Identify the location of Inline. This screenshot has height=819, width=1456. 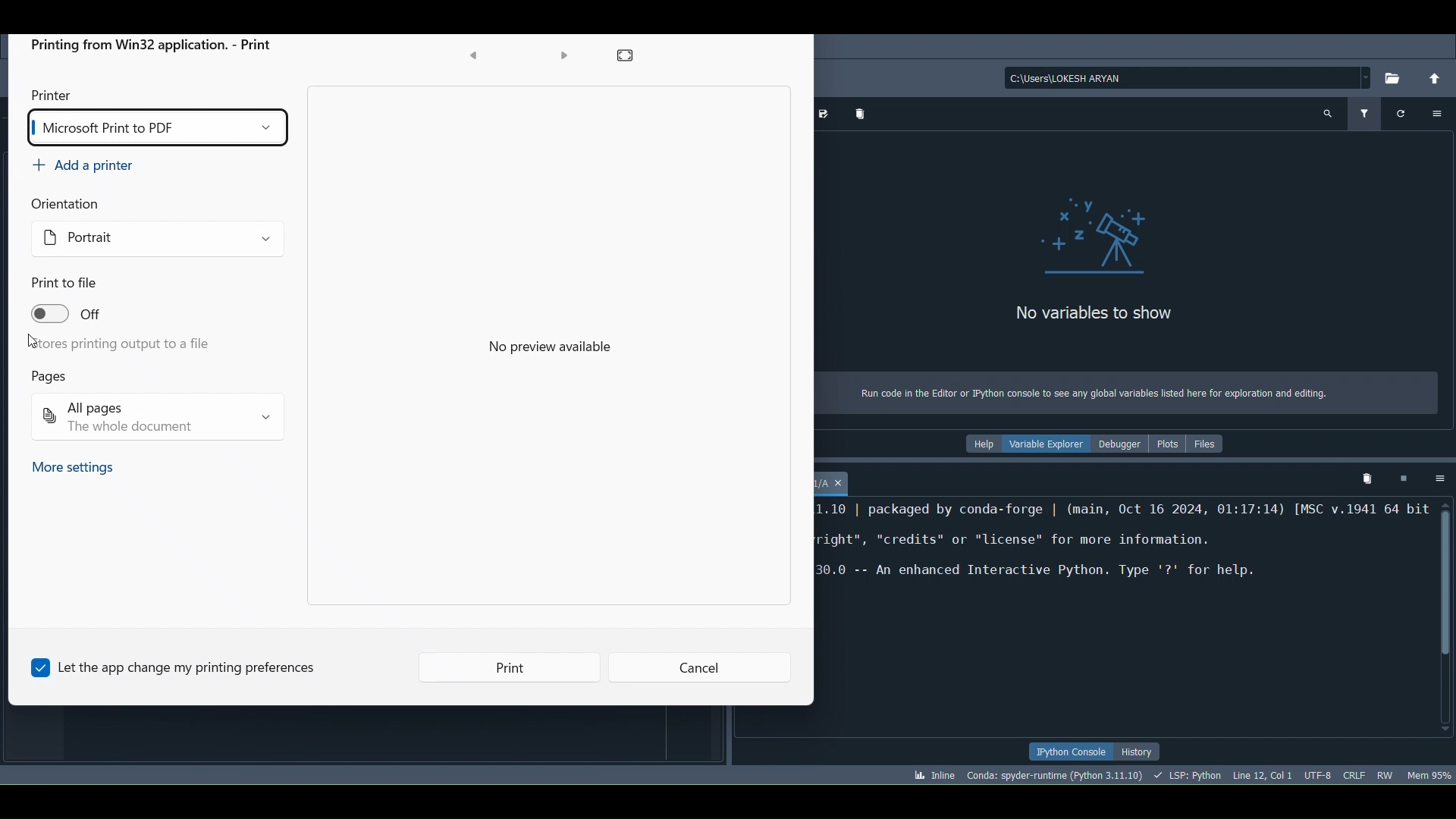
(933, 776).